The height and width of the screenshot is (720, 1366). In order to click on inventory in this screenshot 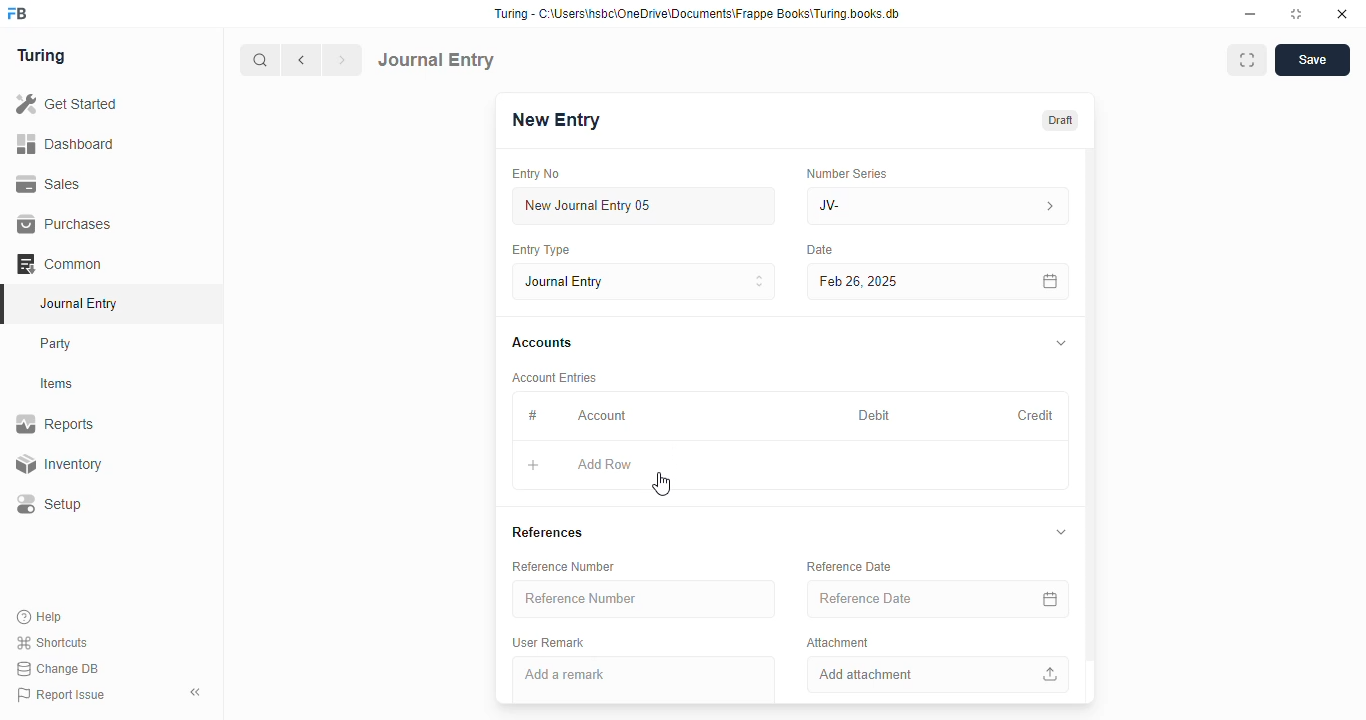, I will do `click(58, 464)`.